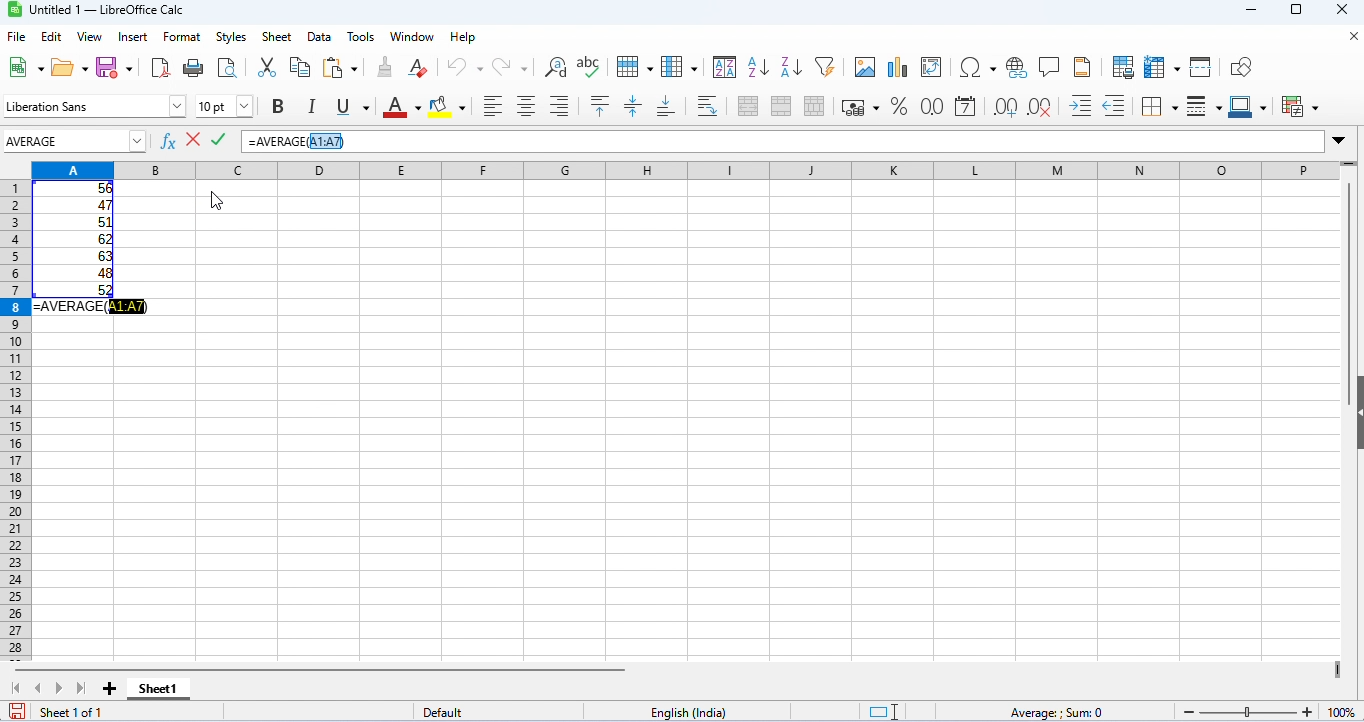 The image size is (1364, 722). Describe the element at coordinates (328, 669) in the screenshot. I see `horizontal scroll bar` at that location.